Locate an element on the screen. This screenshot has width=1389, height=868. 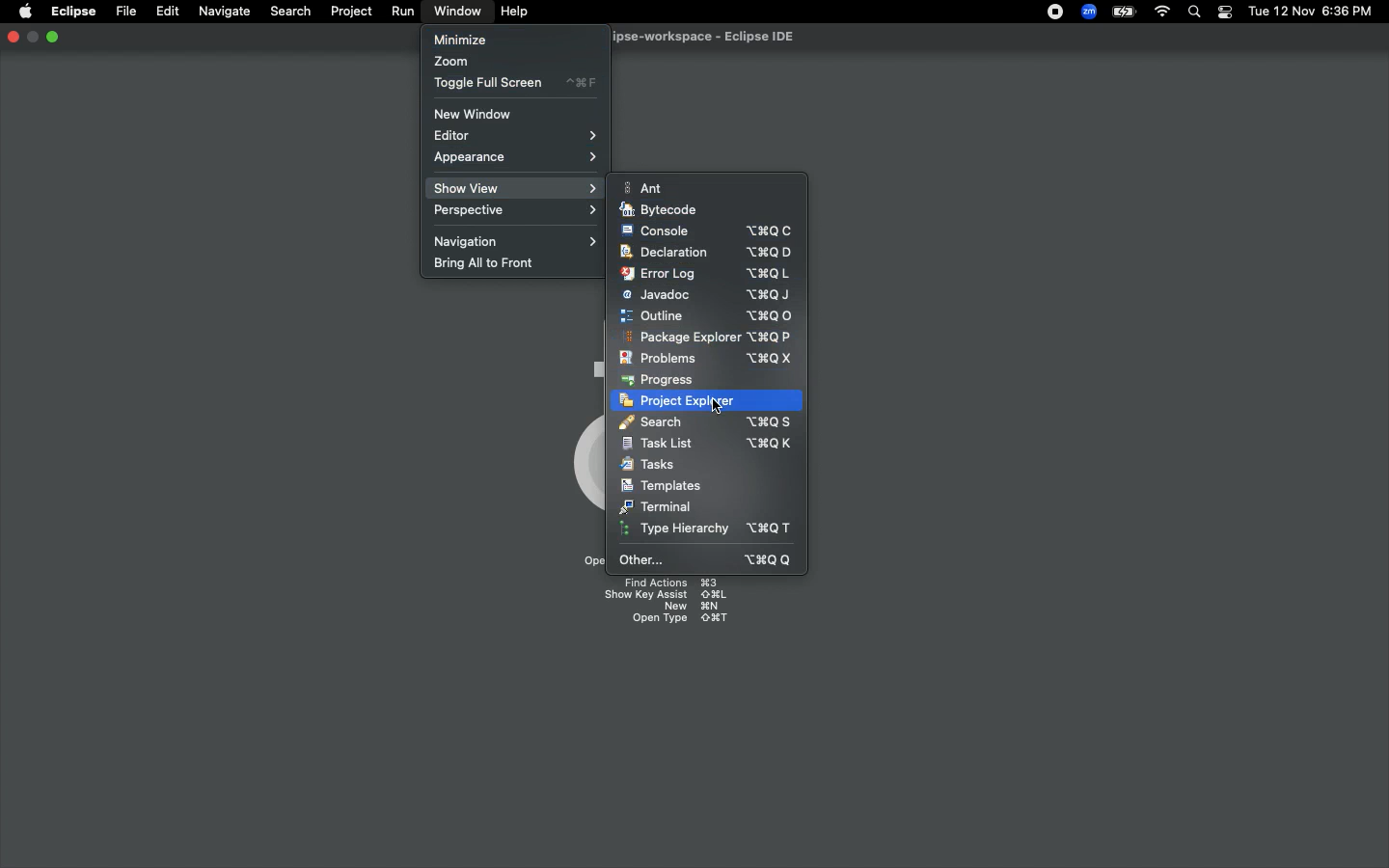
Templates is located at coordinates (661, 485).